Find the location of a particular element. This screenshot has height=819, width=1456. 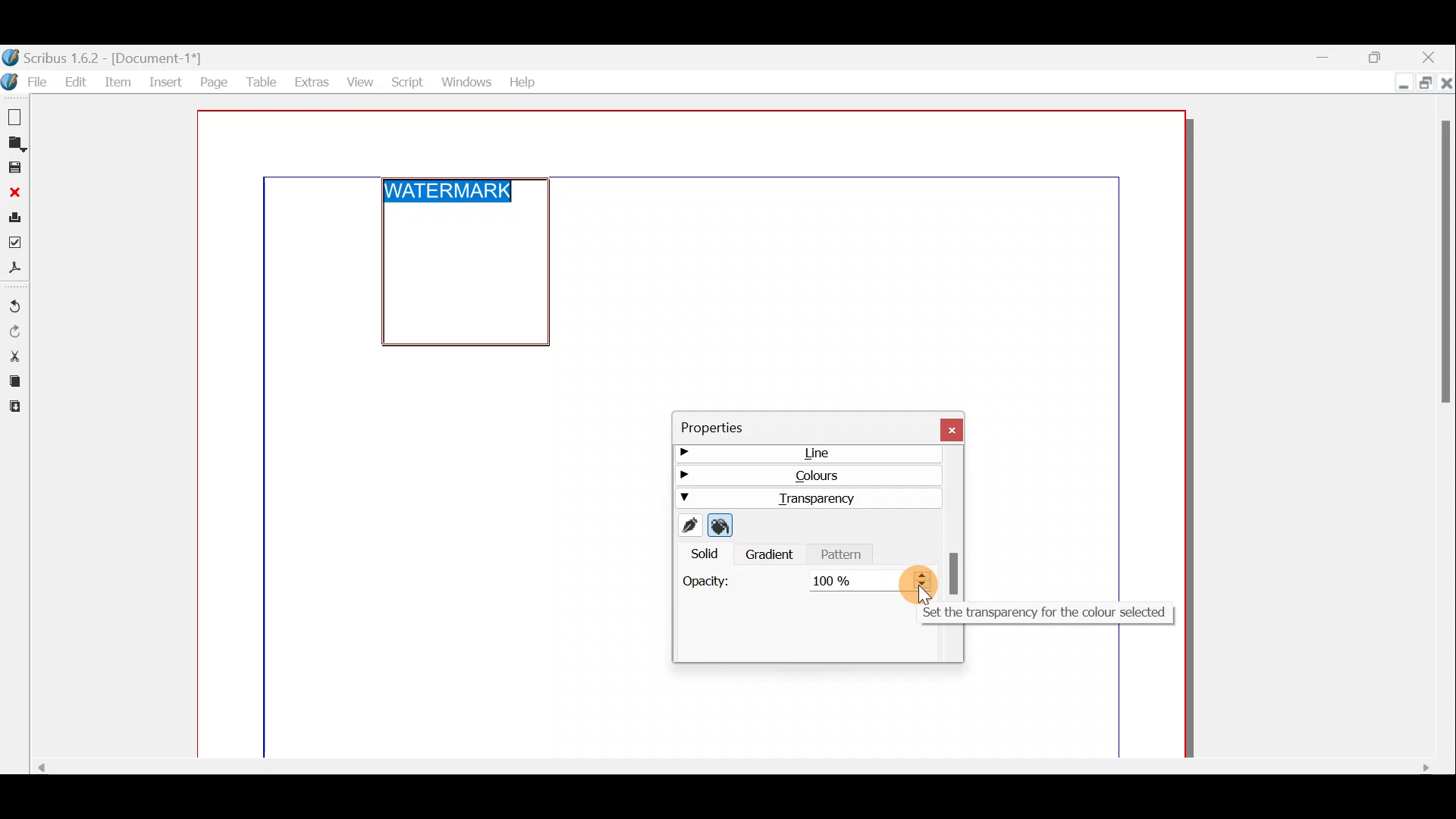

Minimise is located at coordinates (1326, 55).